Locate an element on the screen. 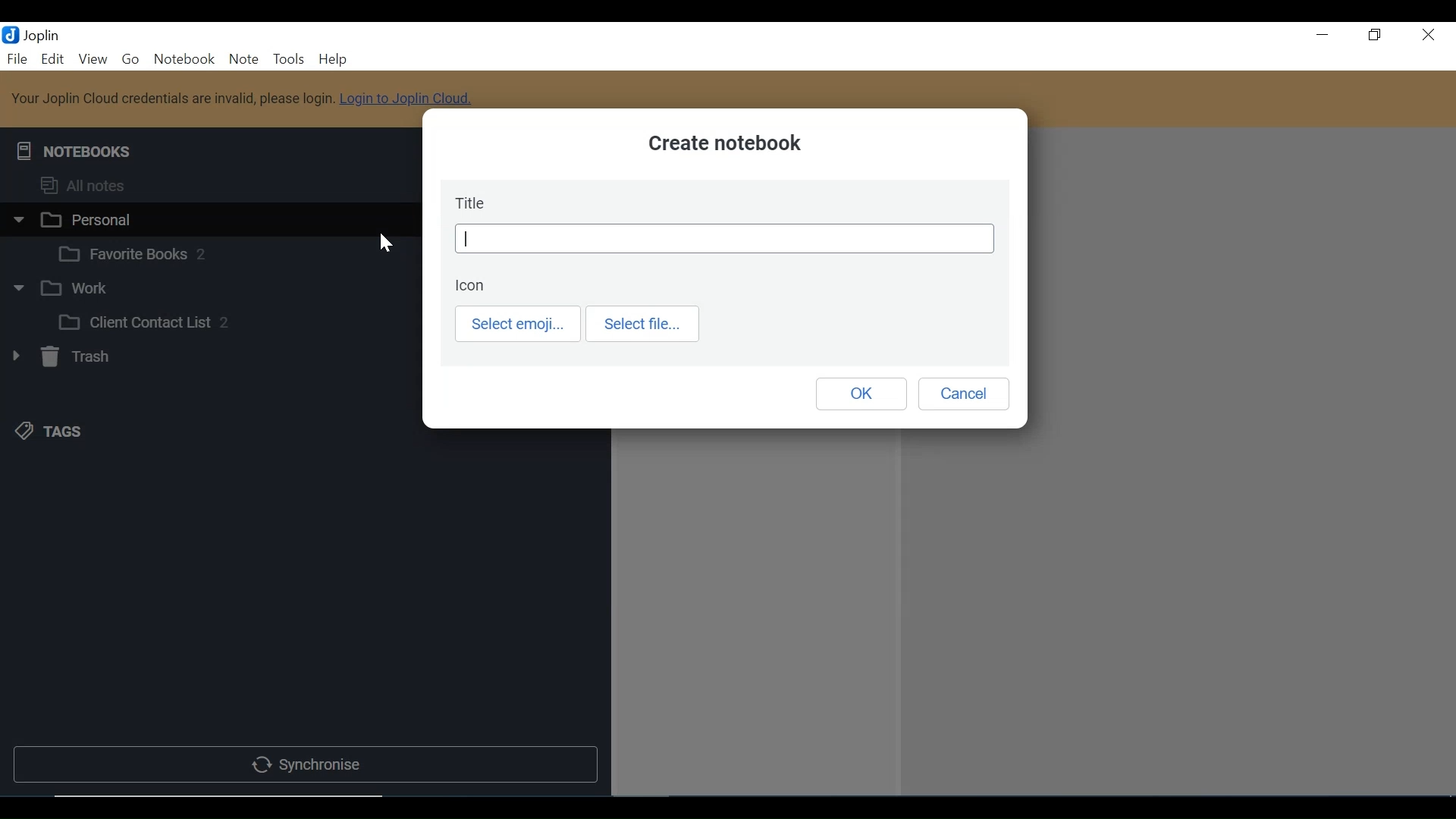  Field is located at coordinates (725, 239).